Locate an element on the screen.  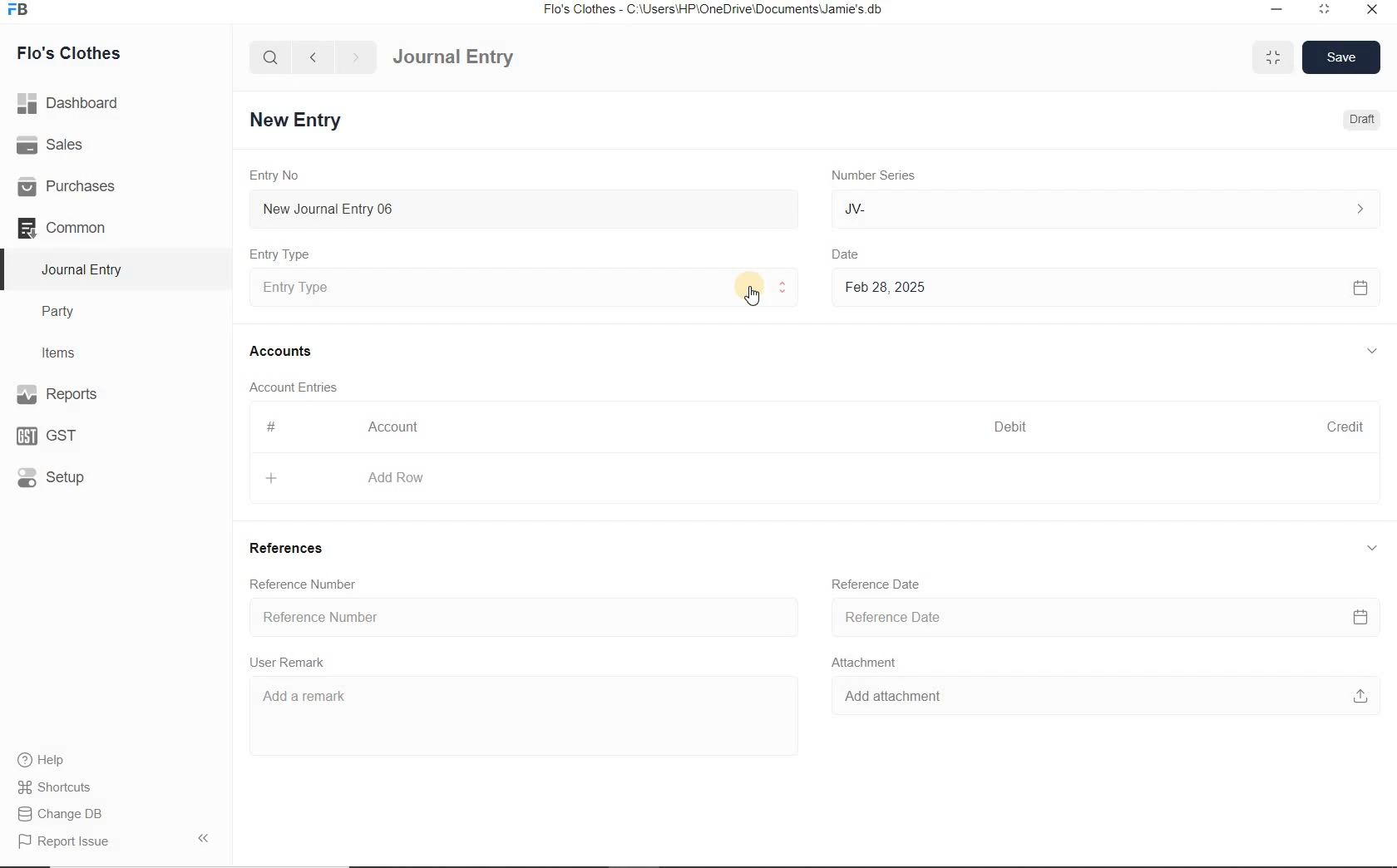
Items is located at coordinates (67, 351).